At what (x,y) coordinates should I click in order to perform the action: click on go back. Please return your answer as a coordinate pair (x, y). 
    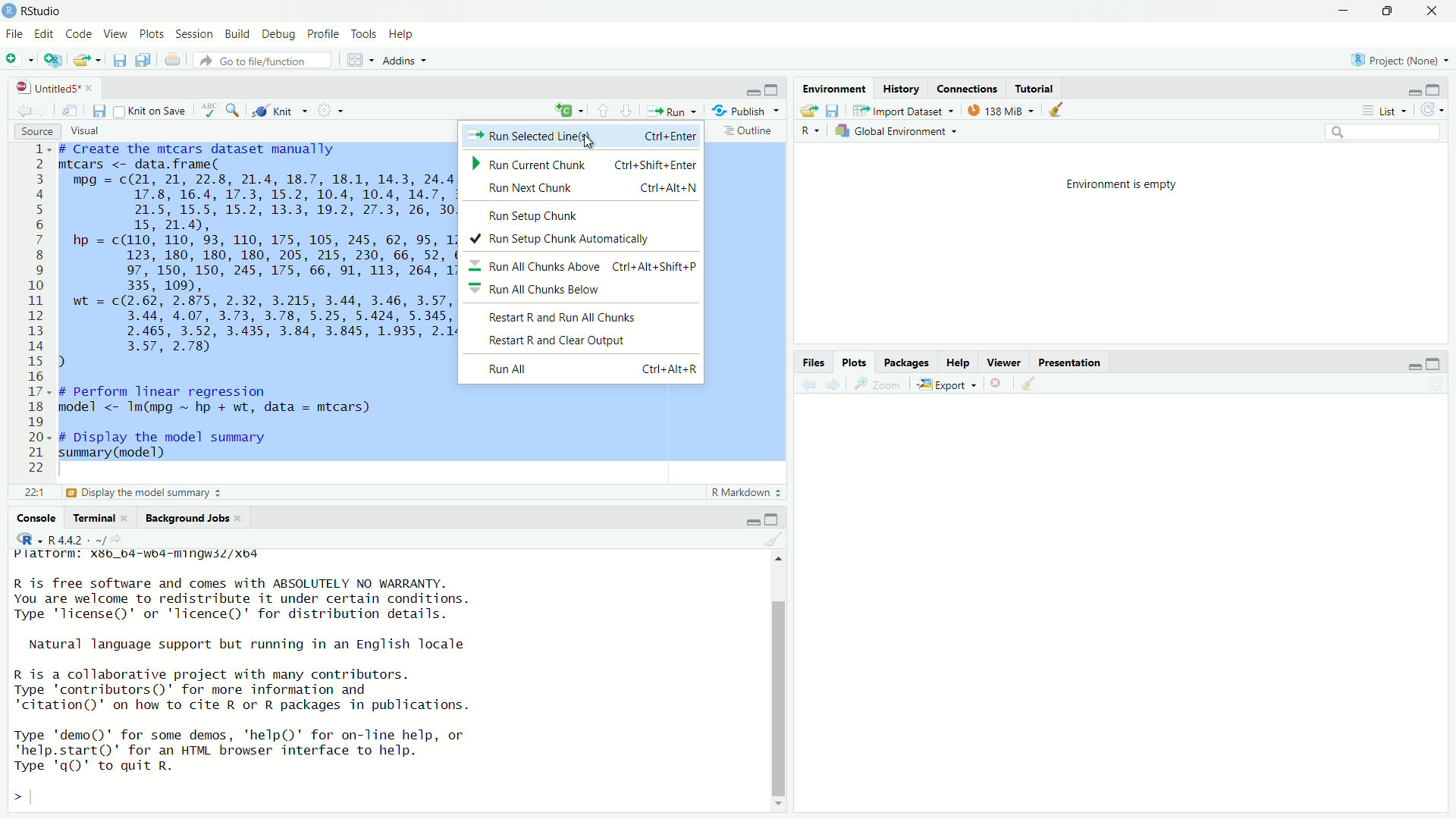
    Looking at the image, I should click on (22, 114).